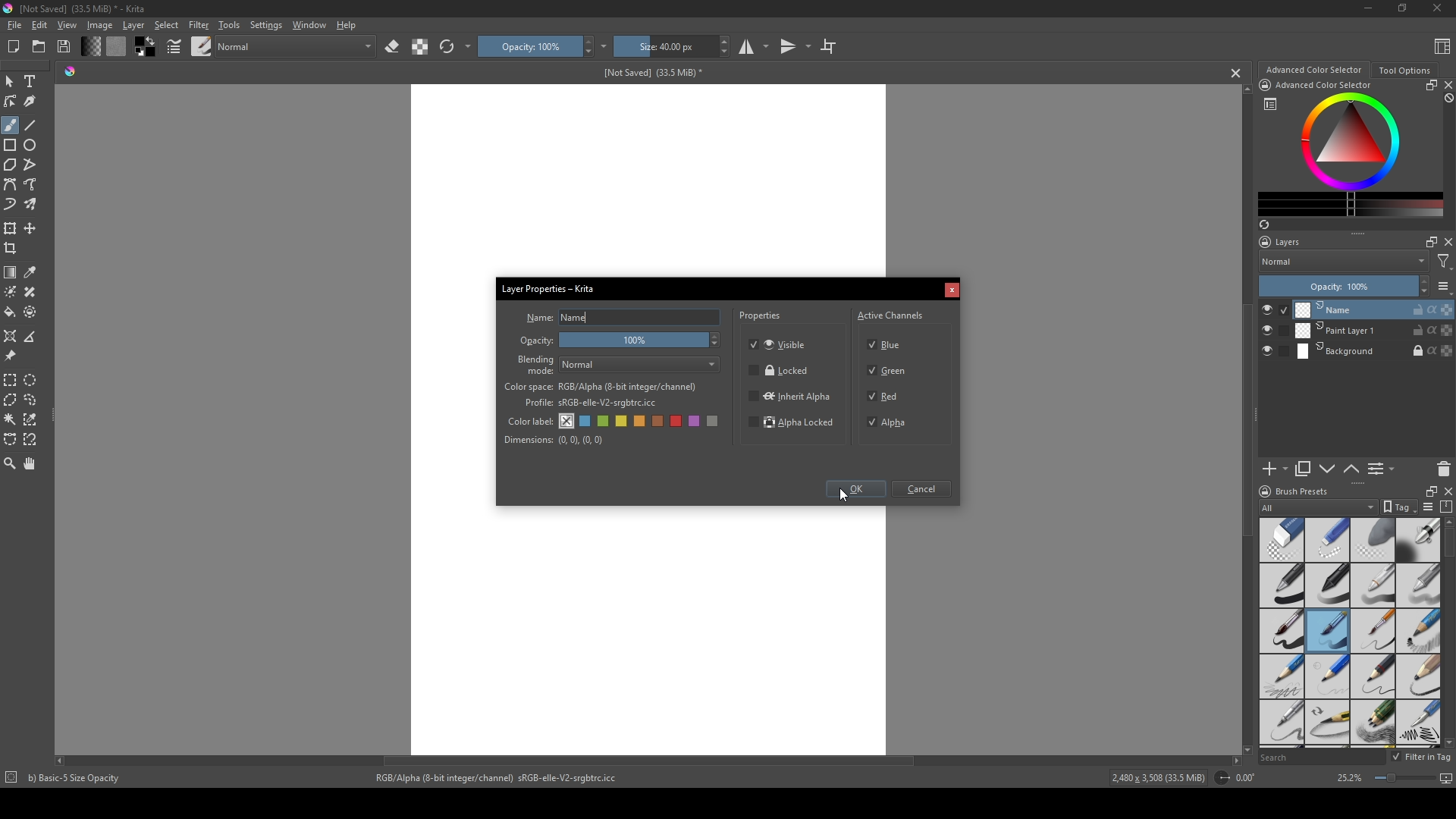 The image size is (1456, 819). What do you see at coordinates (1401, 9) in the screenshot?
I see `resize` at bounding box center [1401, 9].